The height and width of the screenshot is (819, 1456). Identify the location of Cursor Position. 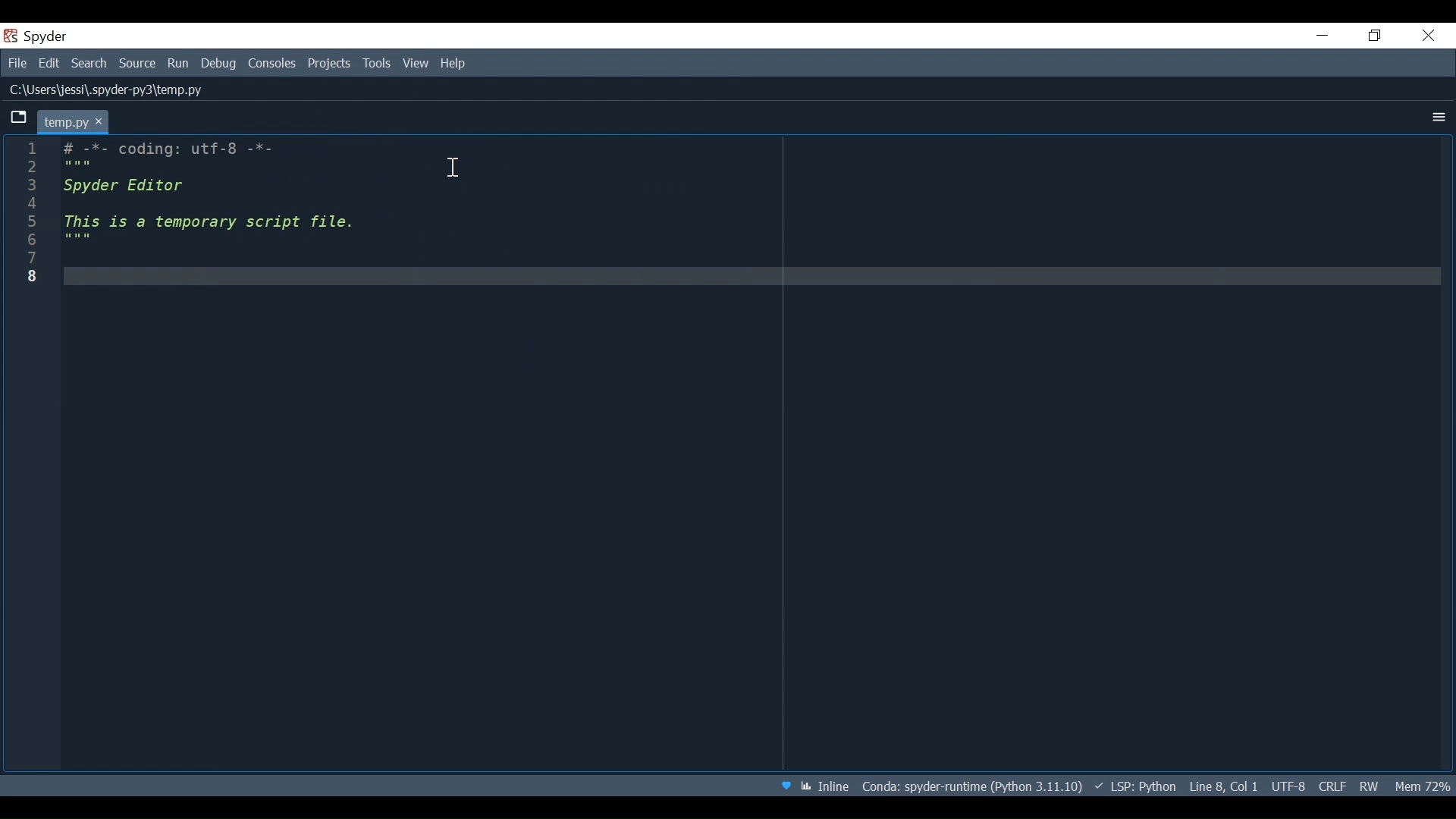
(1223, 786).